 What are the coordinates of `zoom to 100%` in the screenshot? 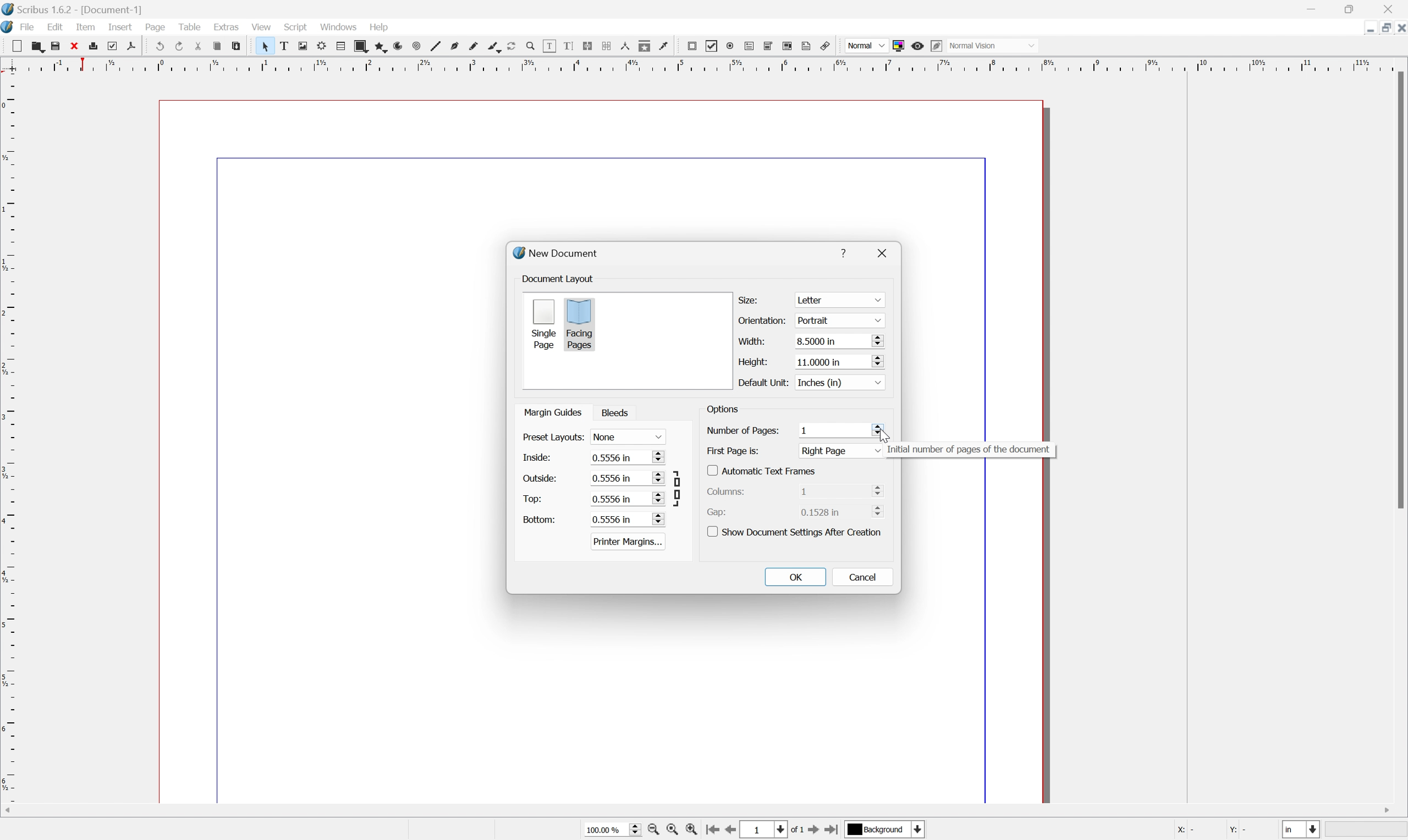 It's located at (674, 830).